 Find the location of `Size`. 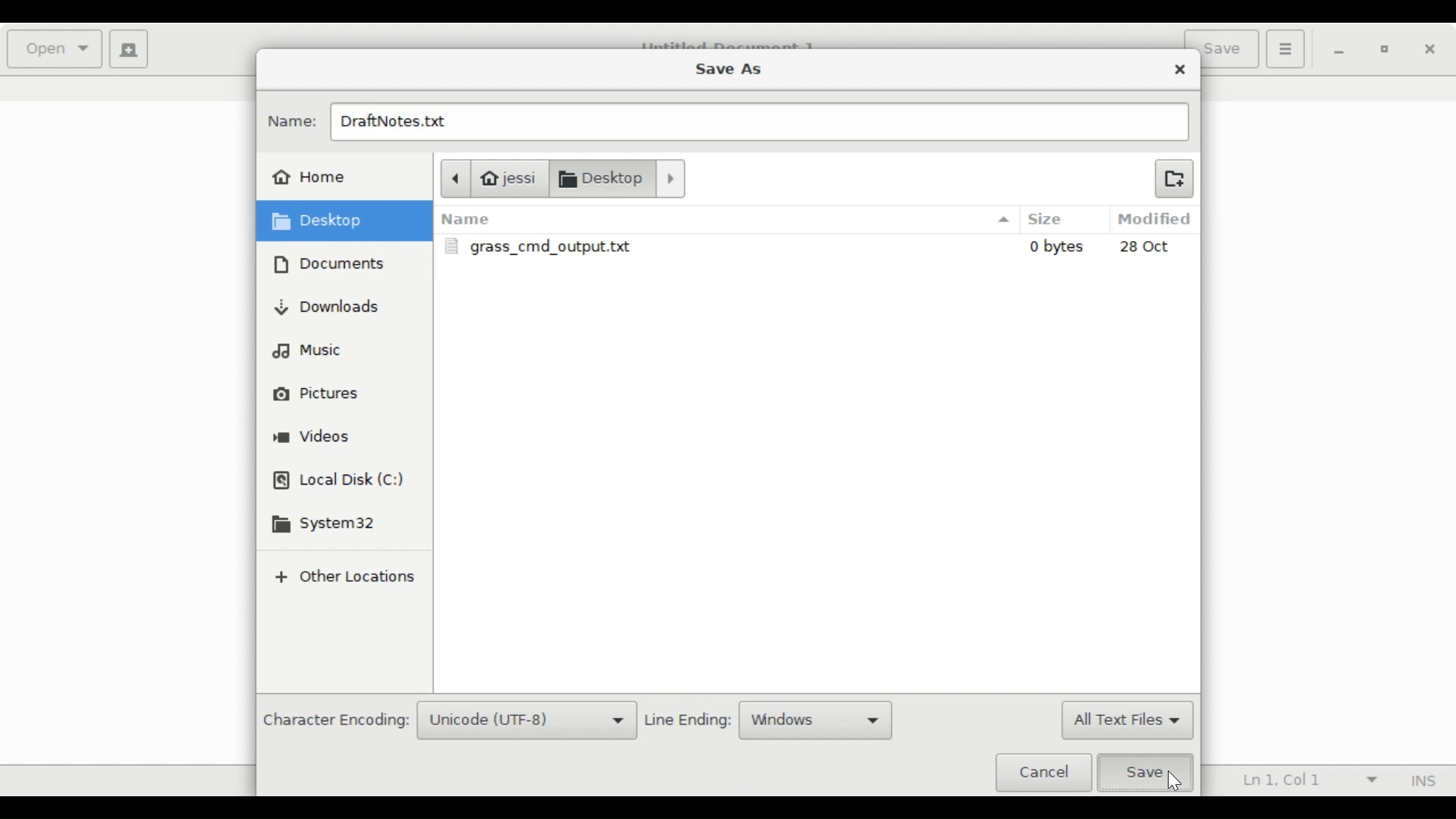

Size is located at coordinates (1058, 220).